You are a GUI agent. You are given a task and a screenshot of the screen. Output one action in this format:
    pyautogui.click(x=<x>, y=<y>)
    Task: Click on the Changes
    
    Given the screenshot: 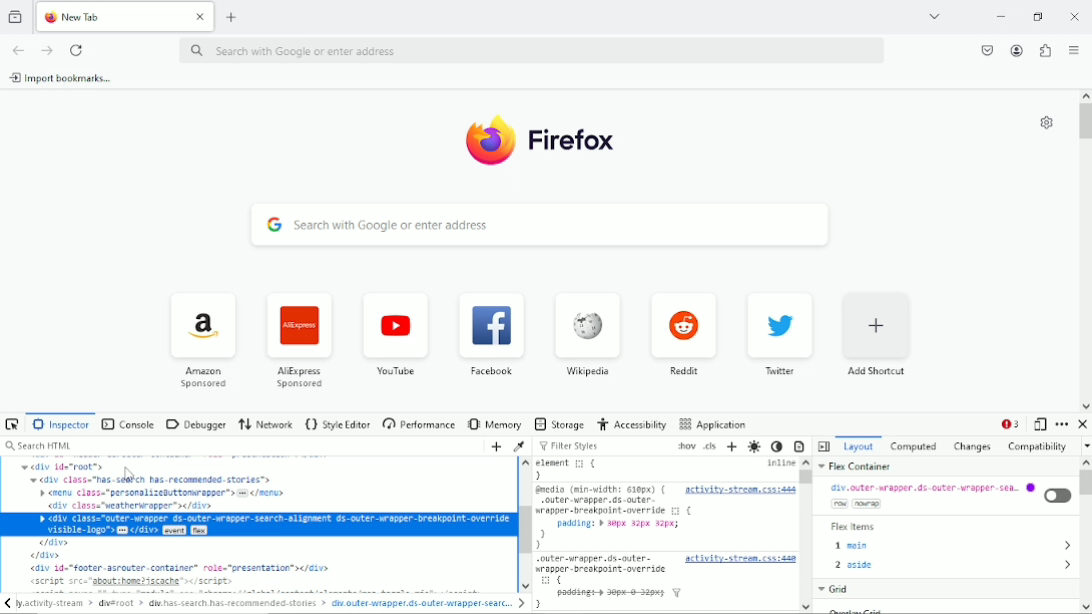 What is the action you would take?
    pyautogui.click(x=972, y=448)
    